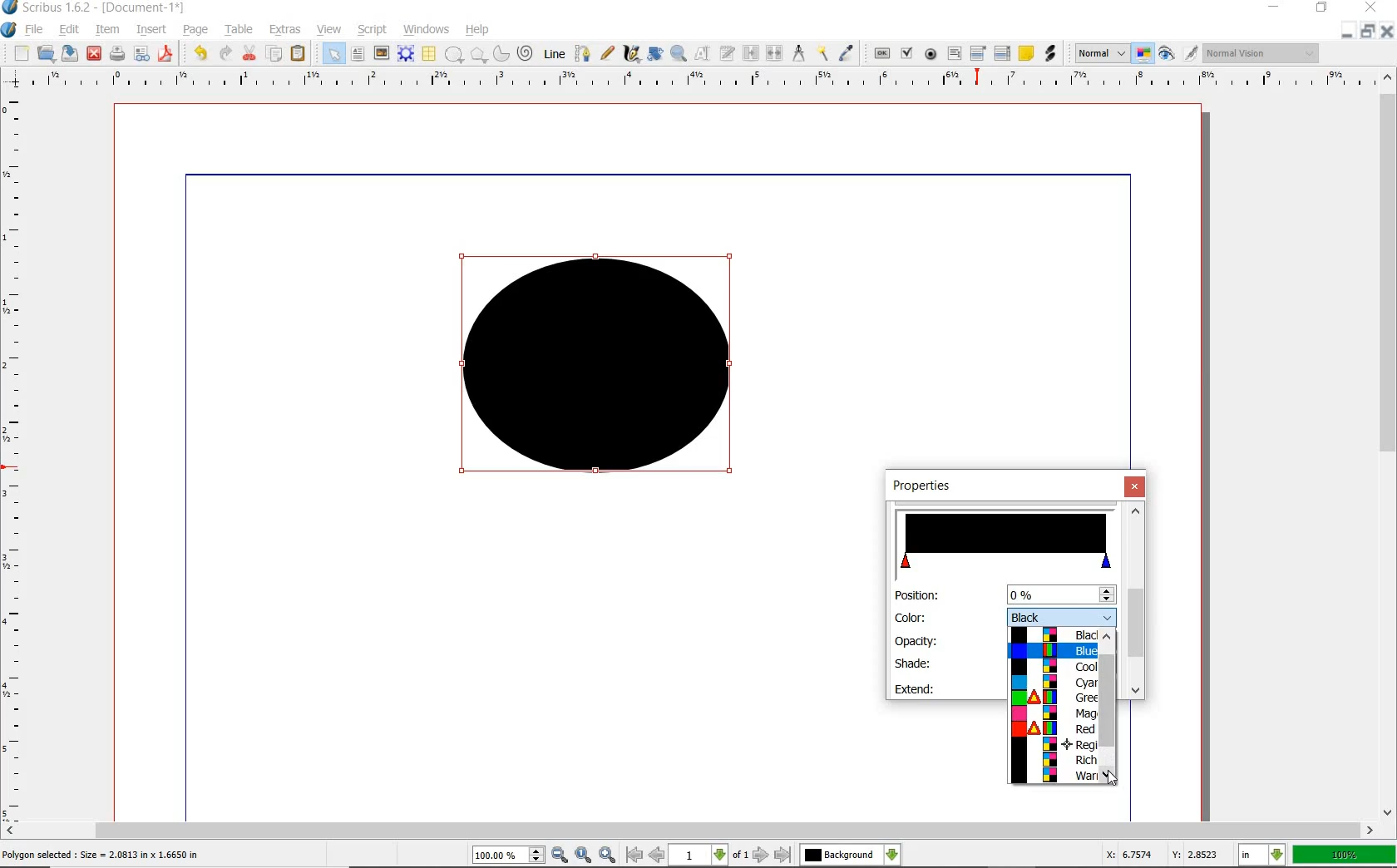 The width and height of the screenshot is (1397, 868). I want to click on PDF TEXT FIELD, so click(954, 53).